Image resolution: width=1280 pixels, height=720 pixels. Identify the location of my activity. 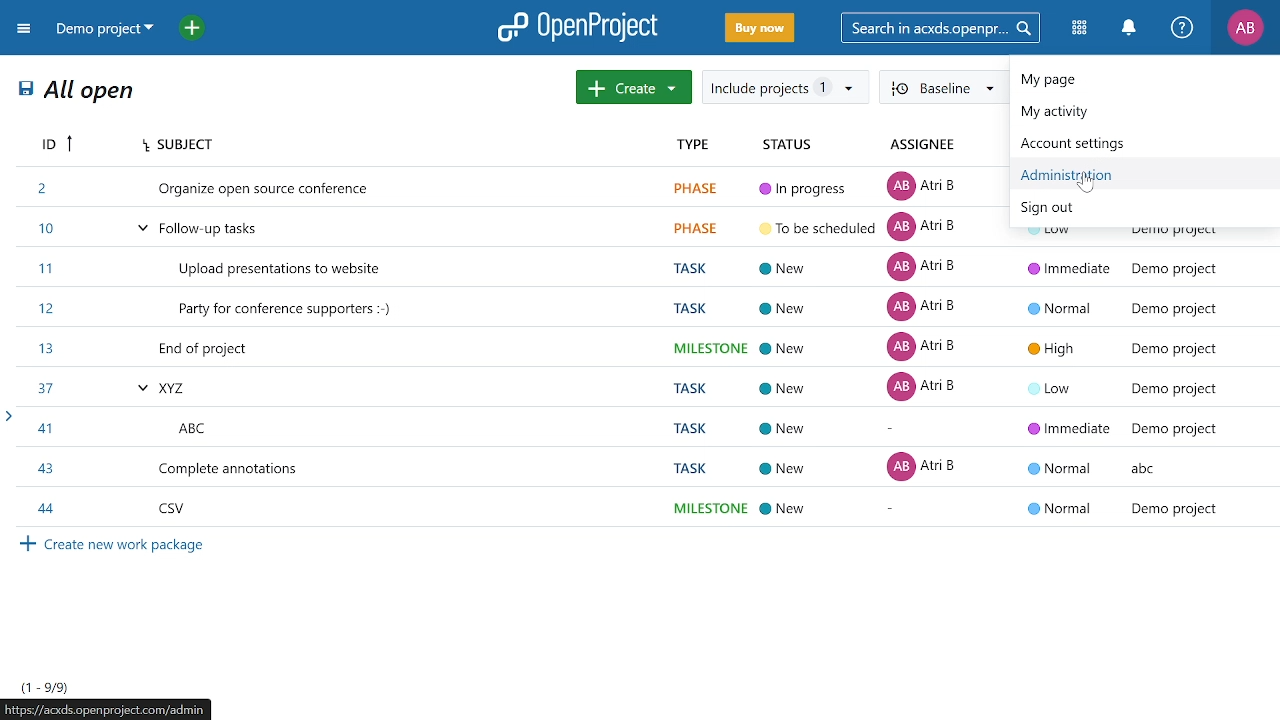
(1131, 113).